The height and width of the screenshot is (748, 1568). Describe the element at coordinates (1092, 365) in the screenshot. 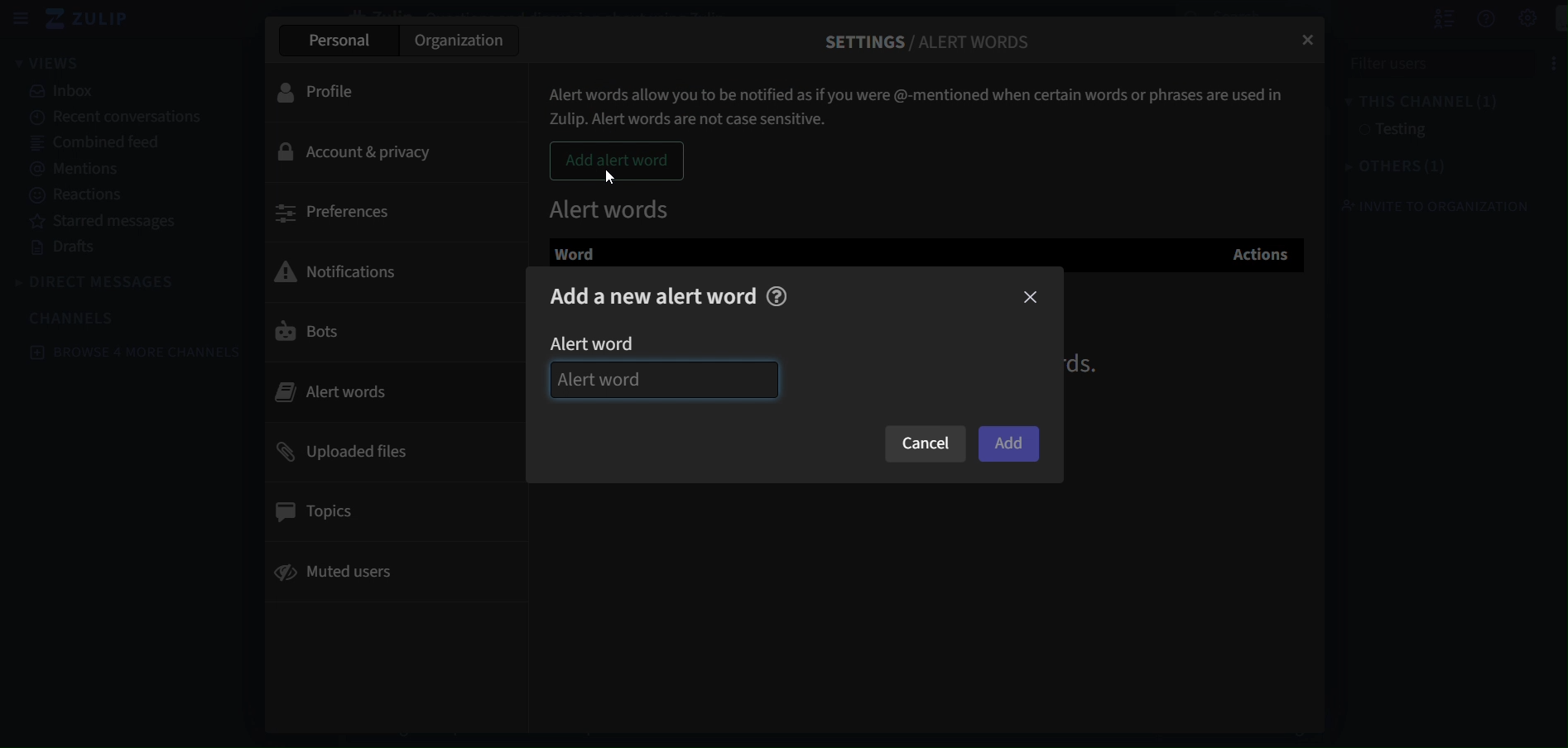

I see `ds` at that location.